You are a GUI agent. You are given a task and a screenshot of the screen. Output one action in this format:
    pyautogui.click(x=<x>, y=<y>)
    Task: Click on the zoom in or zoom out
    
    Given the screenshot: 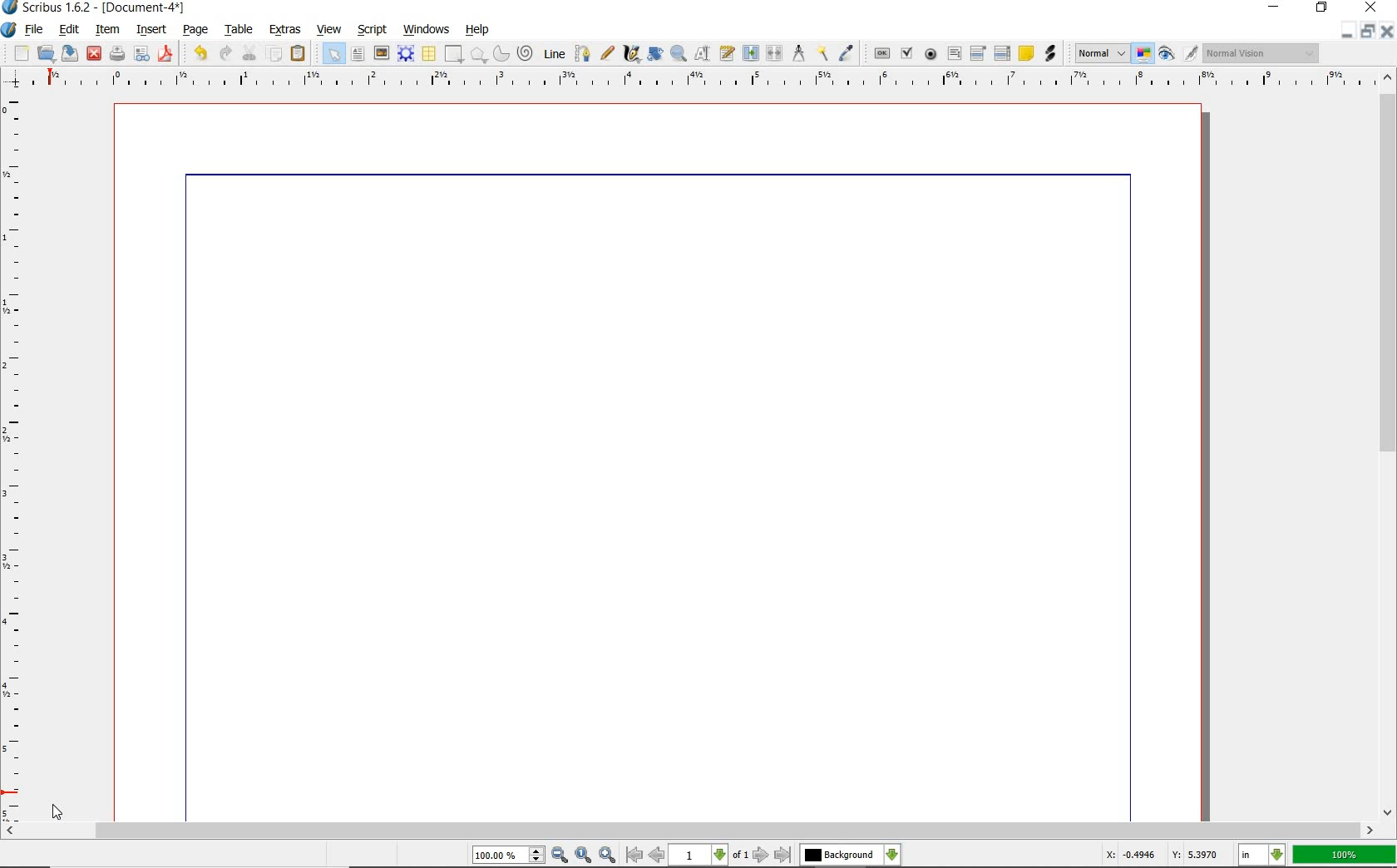 What is the action you would take?
    pyautogui.click(x=679, y=53)
    